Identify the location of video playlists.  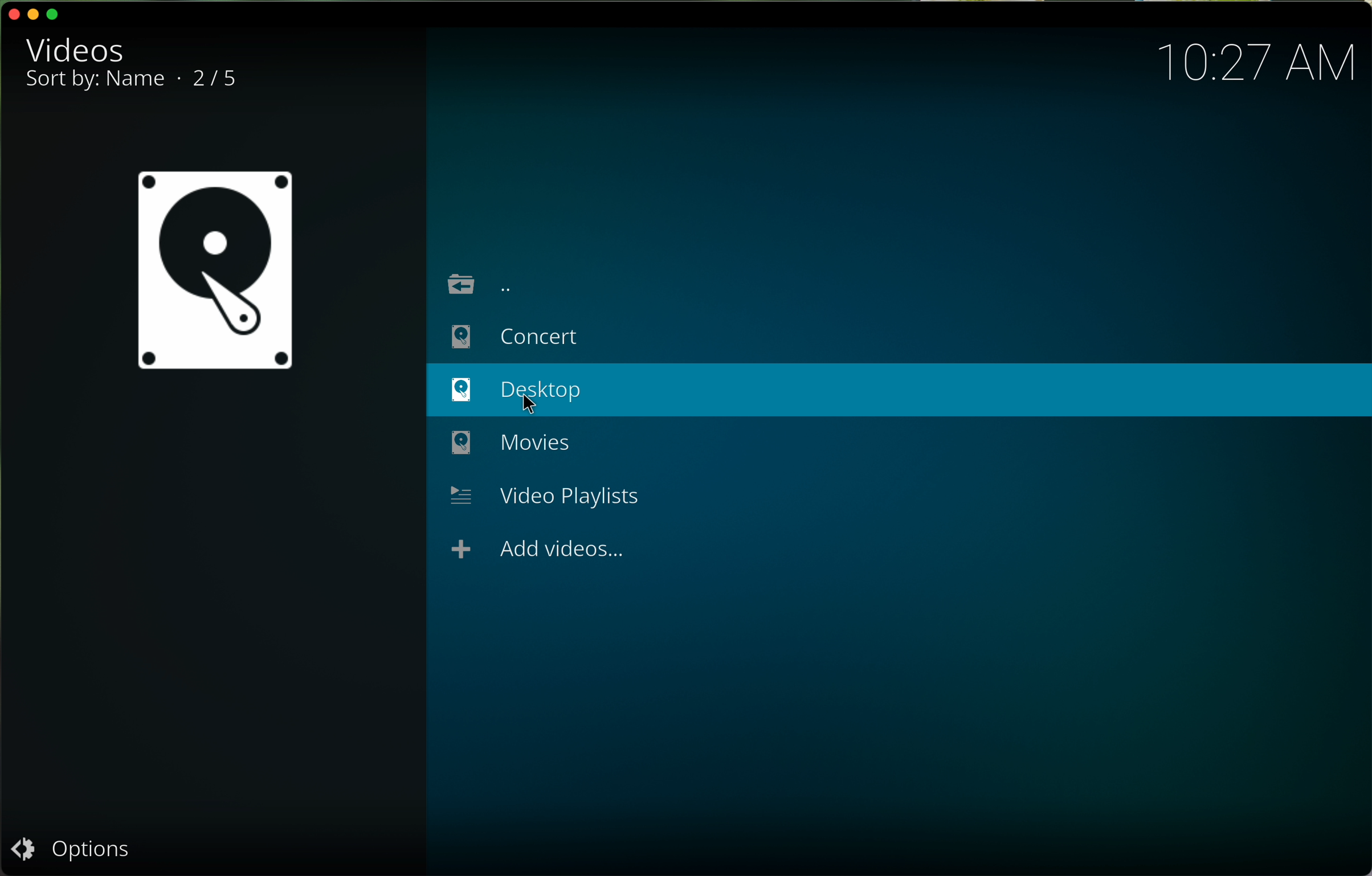
(545, 496).